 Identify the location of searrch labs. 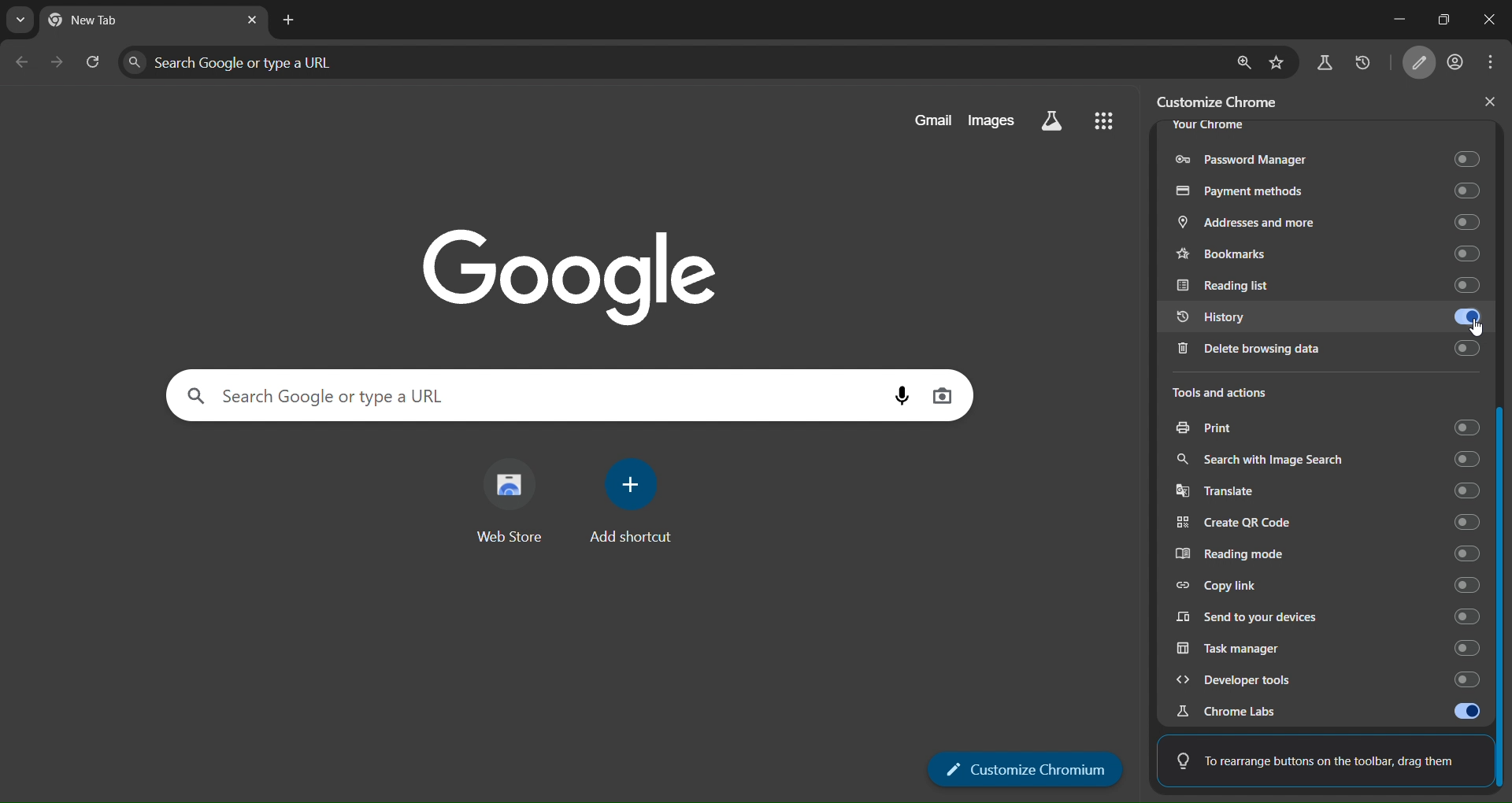
(1052, 121).